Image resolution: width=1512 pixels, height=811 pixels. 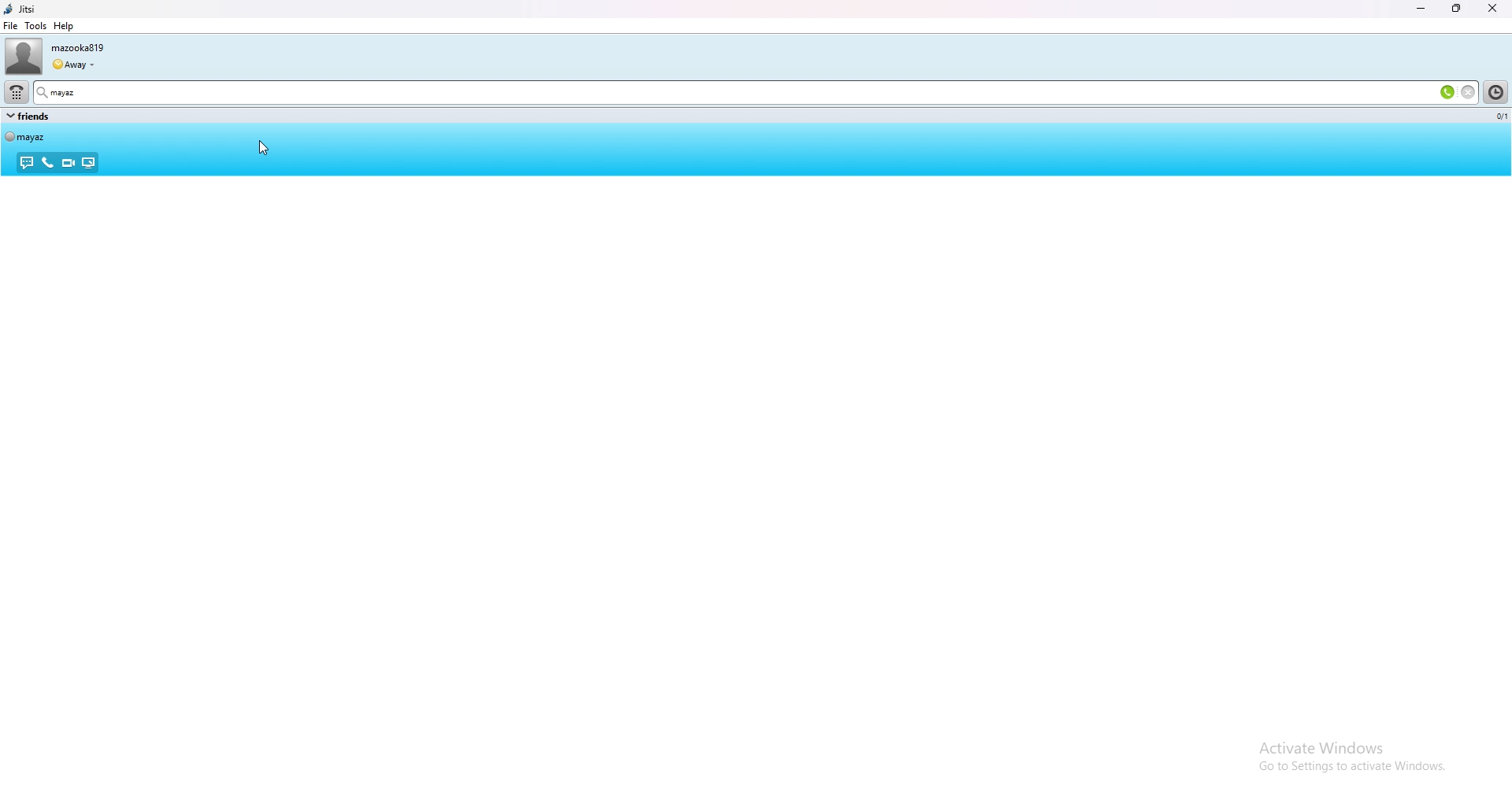 I want to click on mayaz, so click(x=88, y=91).